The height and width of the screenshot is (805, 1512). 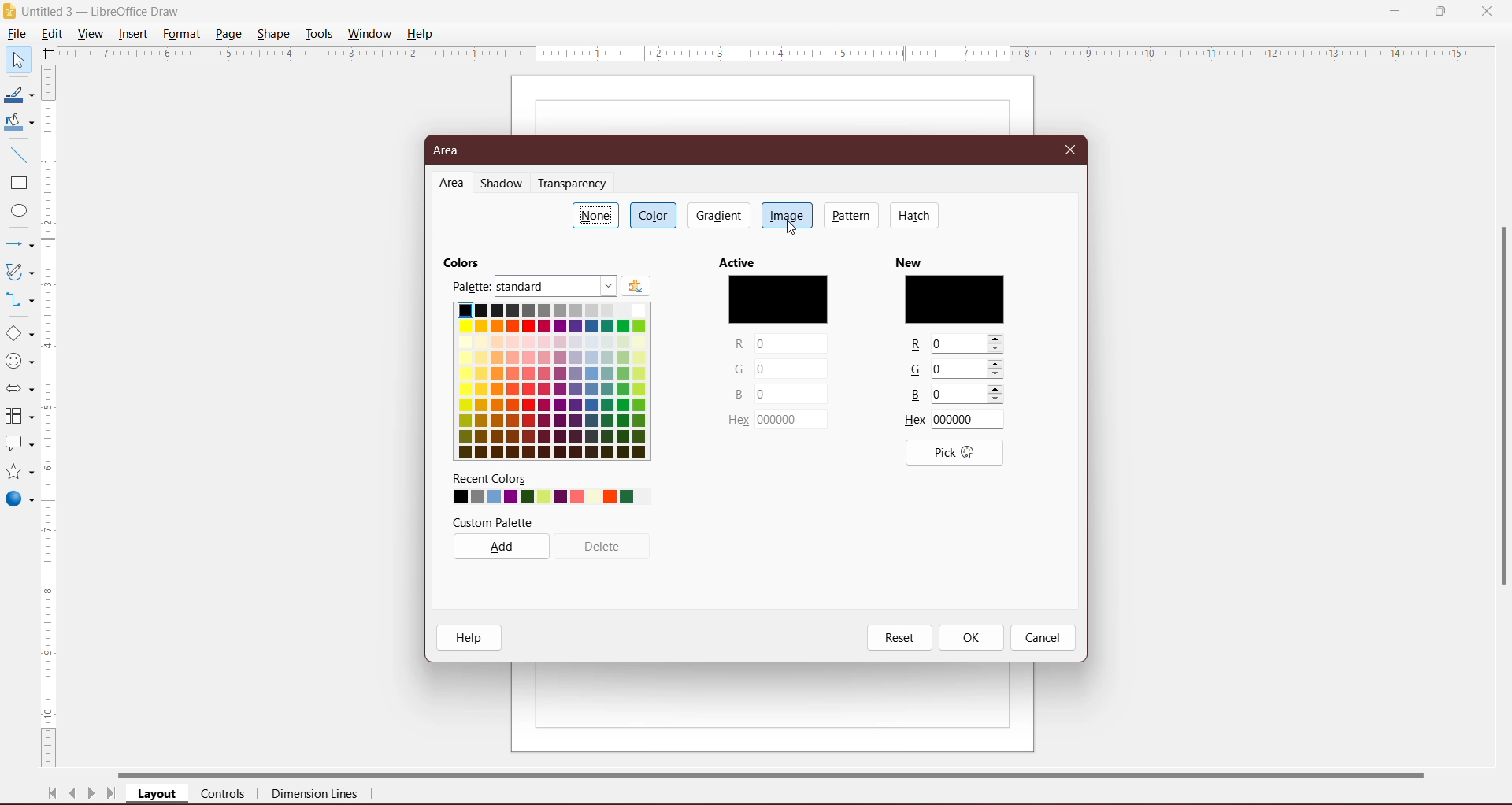 What do you see at coordinates (19, 362) in the screenshot?
I see `Symbol Shapes` at bounding box center [19, 362].